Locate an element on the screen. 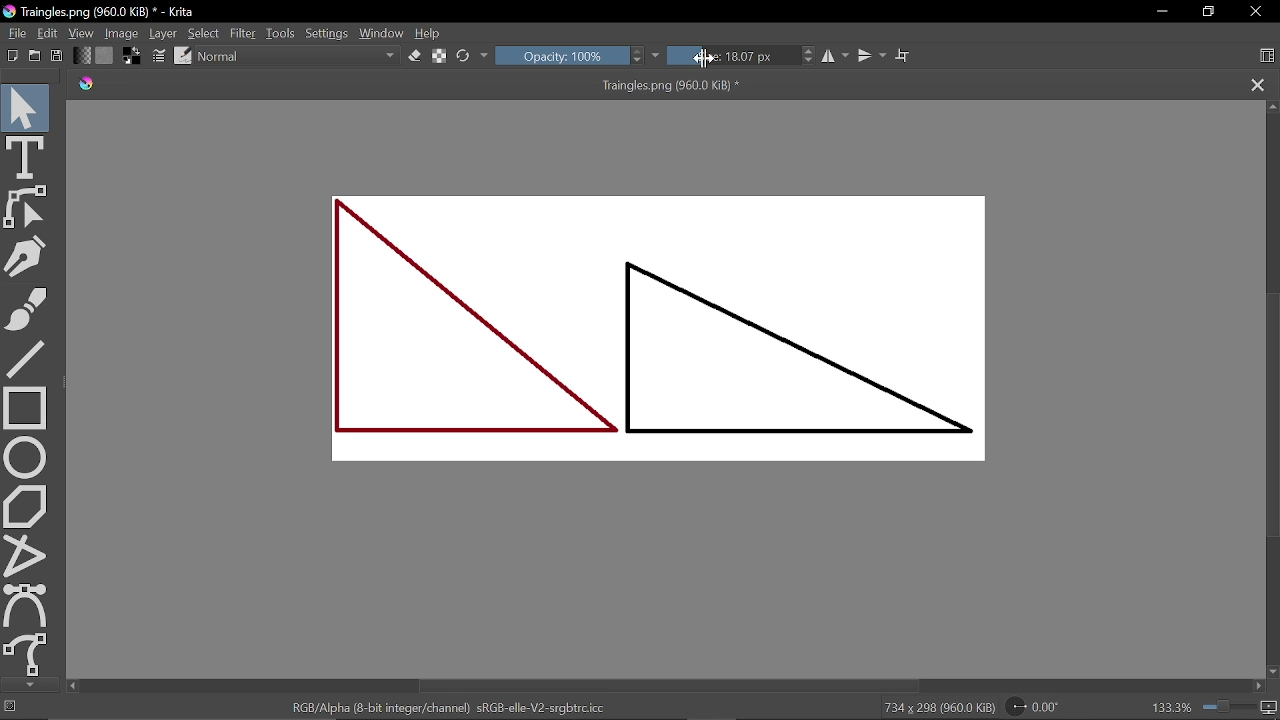 The height and width of the screenshot is (720, 1280). Ellipse tool is located at coordinates (26, 457).